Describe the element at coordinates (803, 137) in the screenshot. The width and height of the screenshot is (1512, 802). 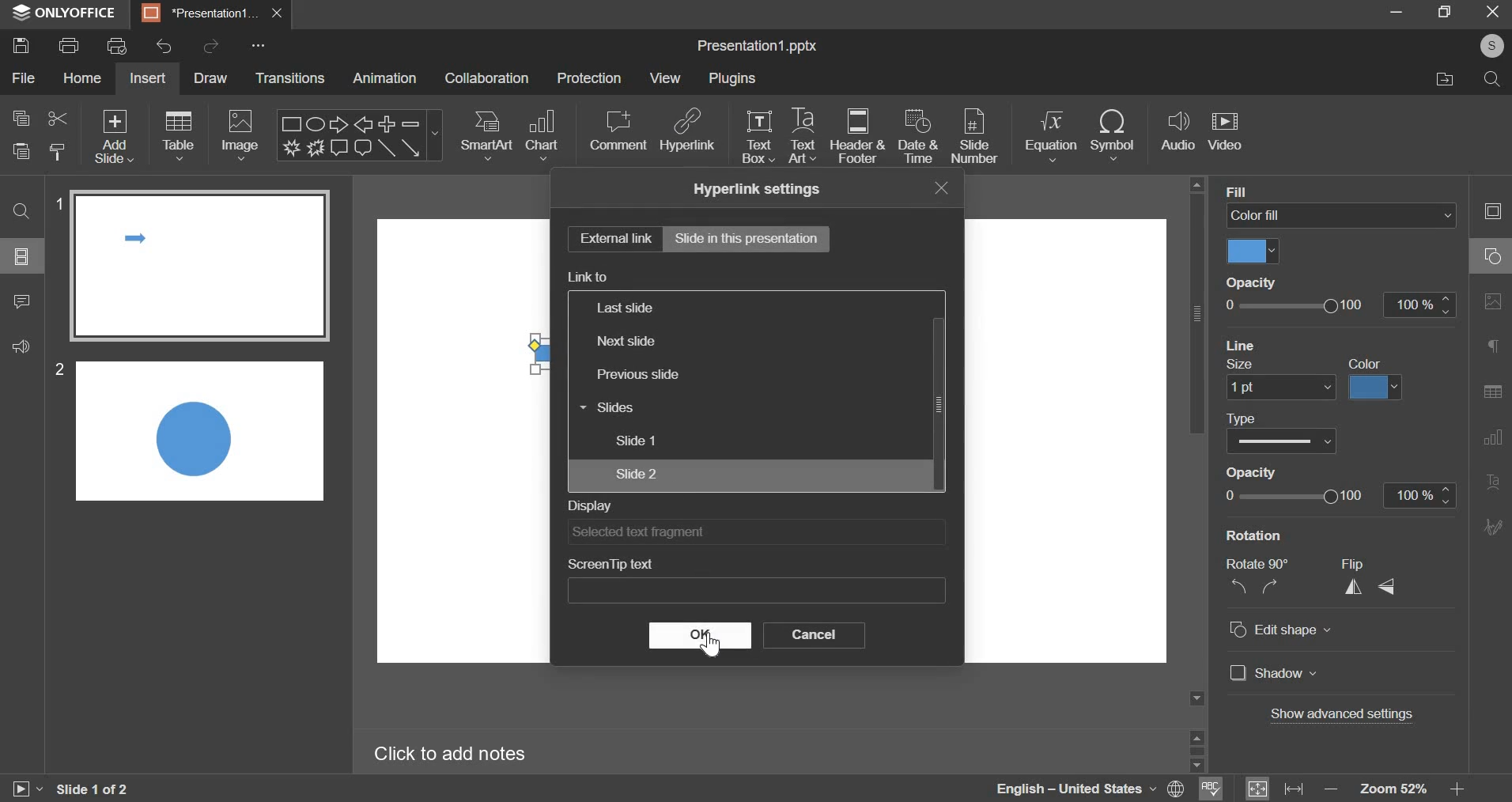
I see `text art` at that location.